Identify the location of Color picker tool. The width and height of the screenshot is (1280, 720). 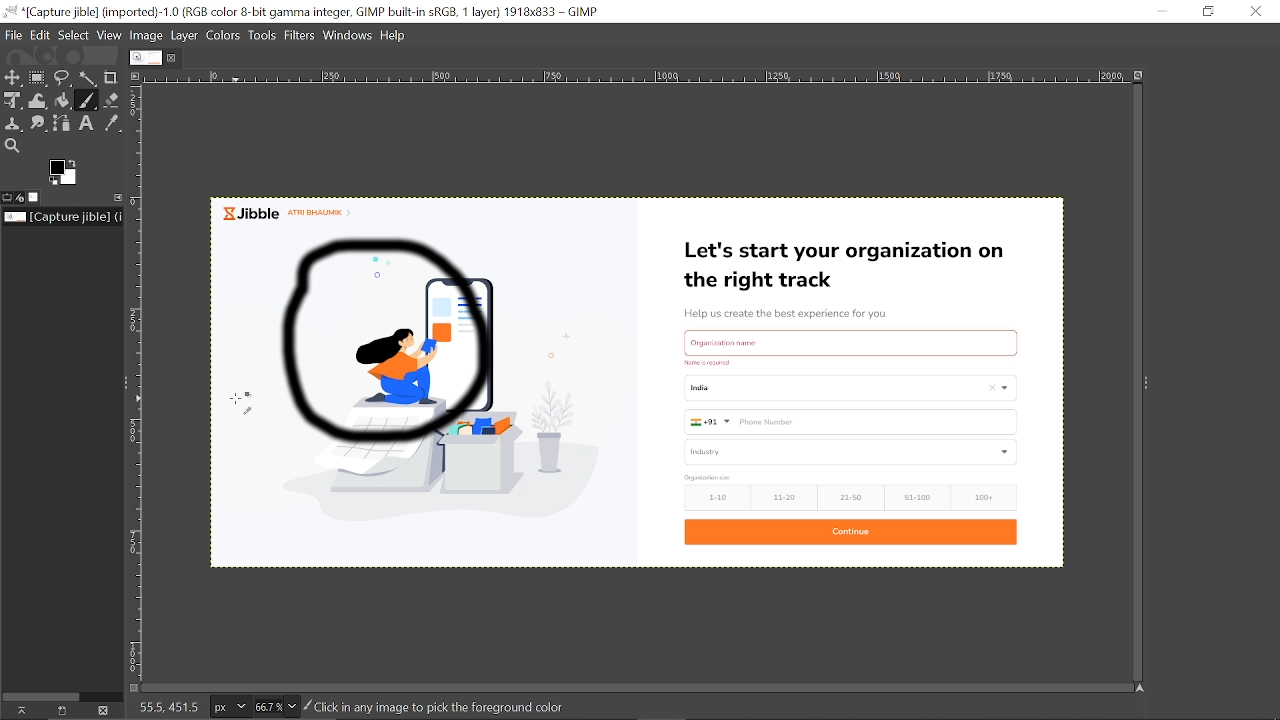
(113, 125).